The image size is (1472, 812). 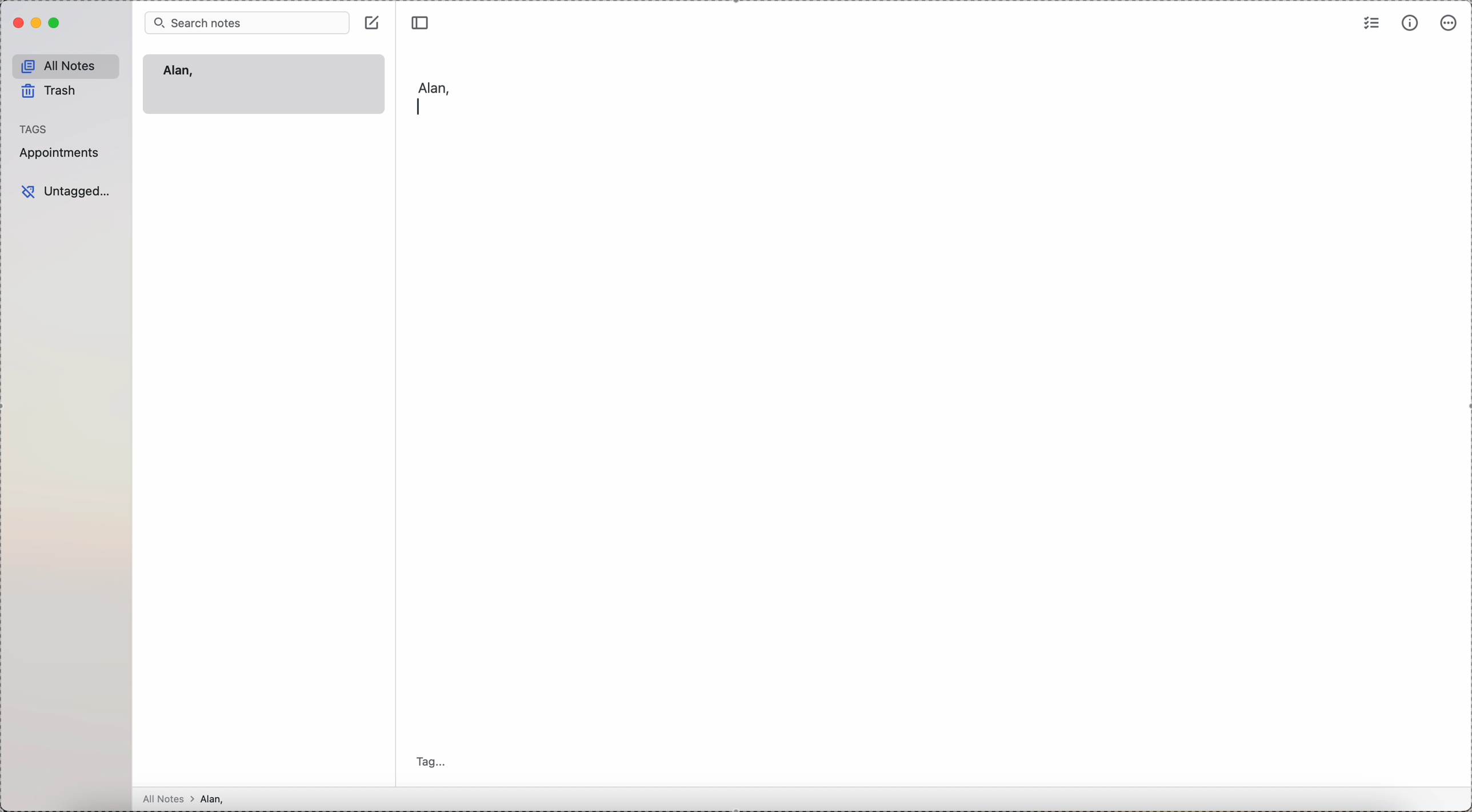 What do you see at coordinates (1410, 23) in the screenshot?
I see `metrics` at bounding box center [1410, 23].